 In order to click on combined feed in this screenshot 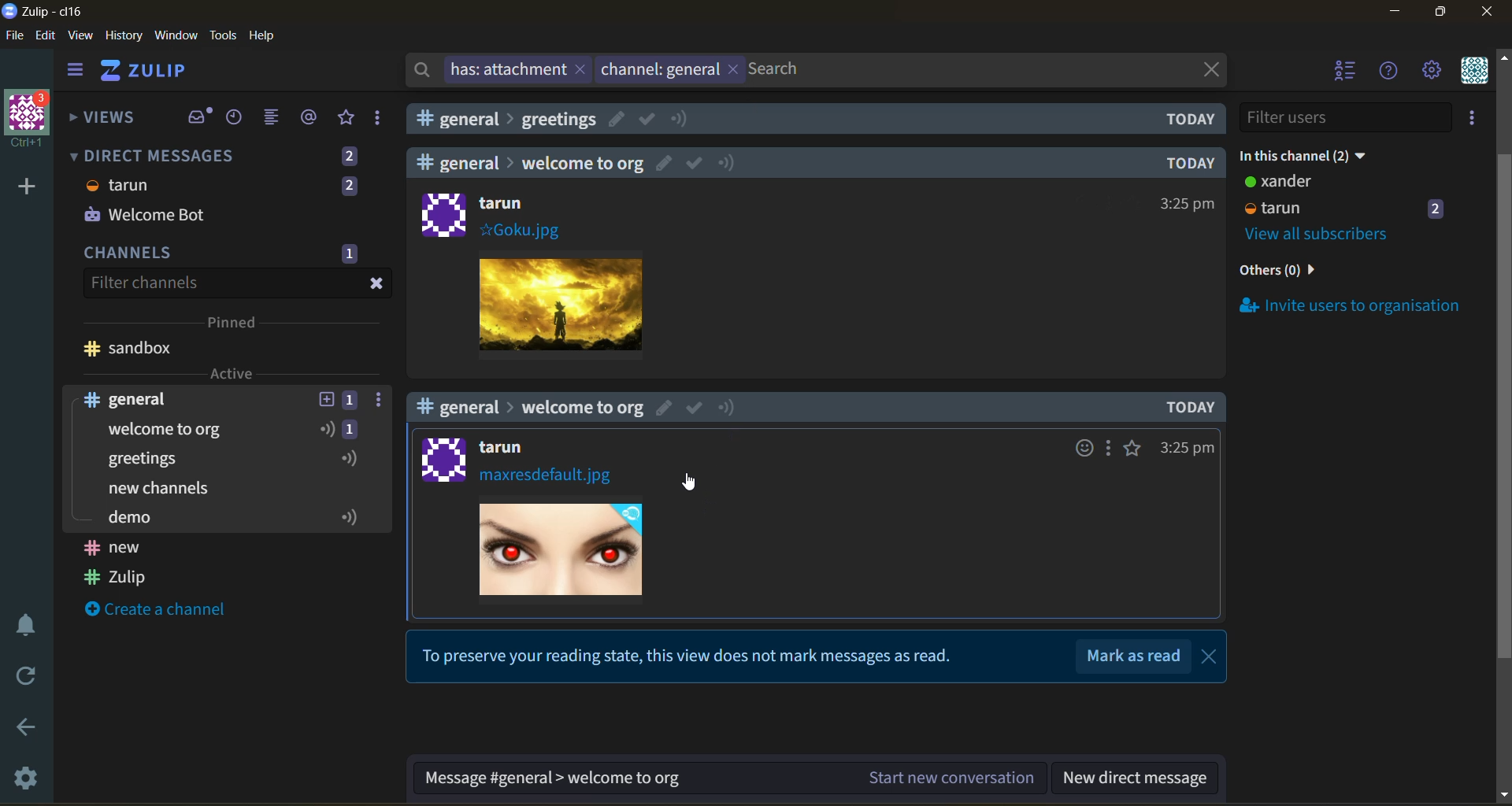, I will do `click(274, 118)`.